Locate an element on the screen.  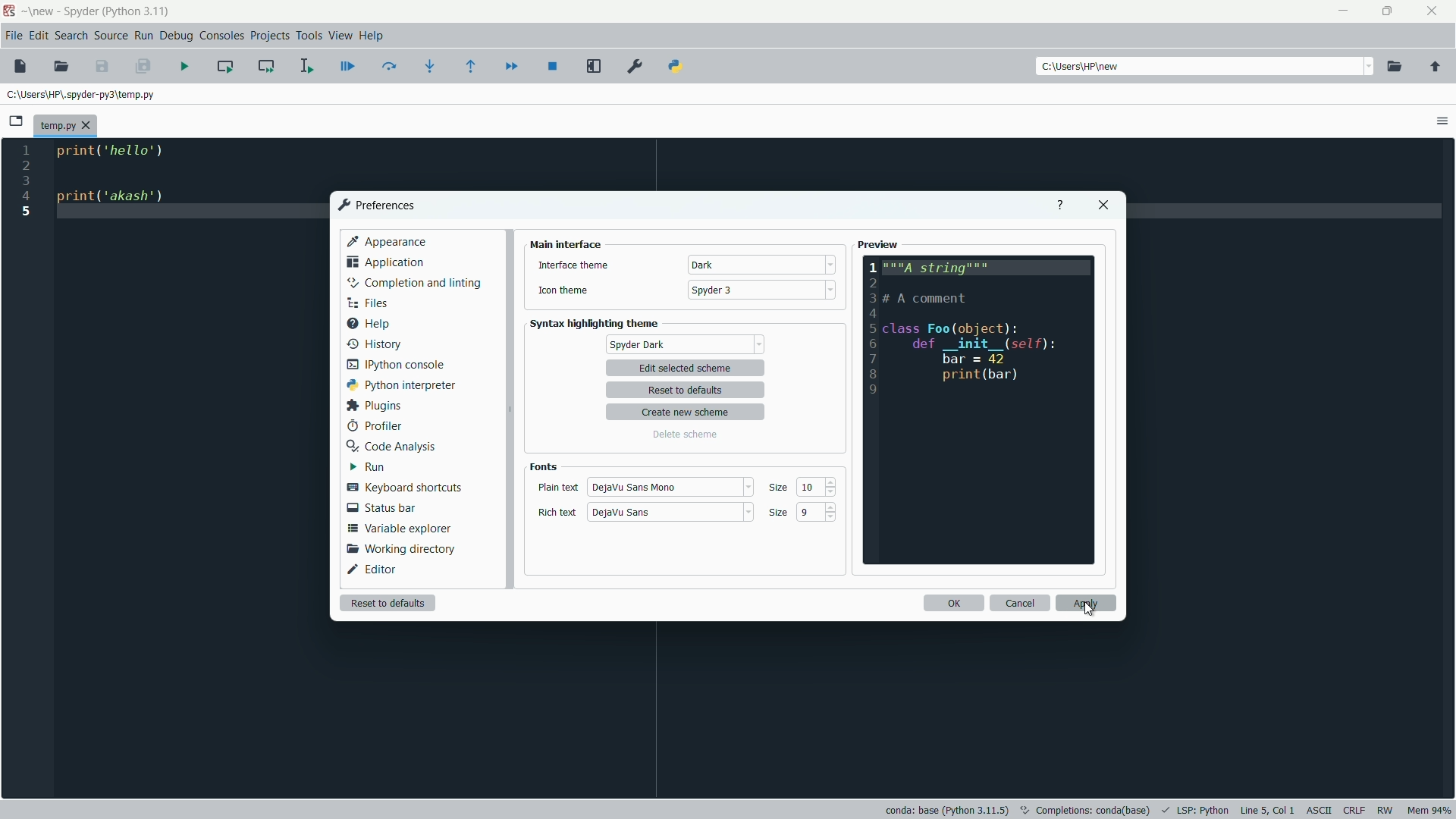
projects menu is located at coordinates (269, 36).